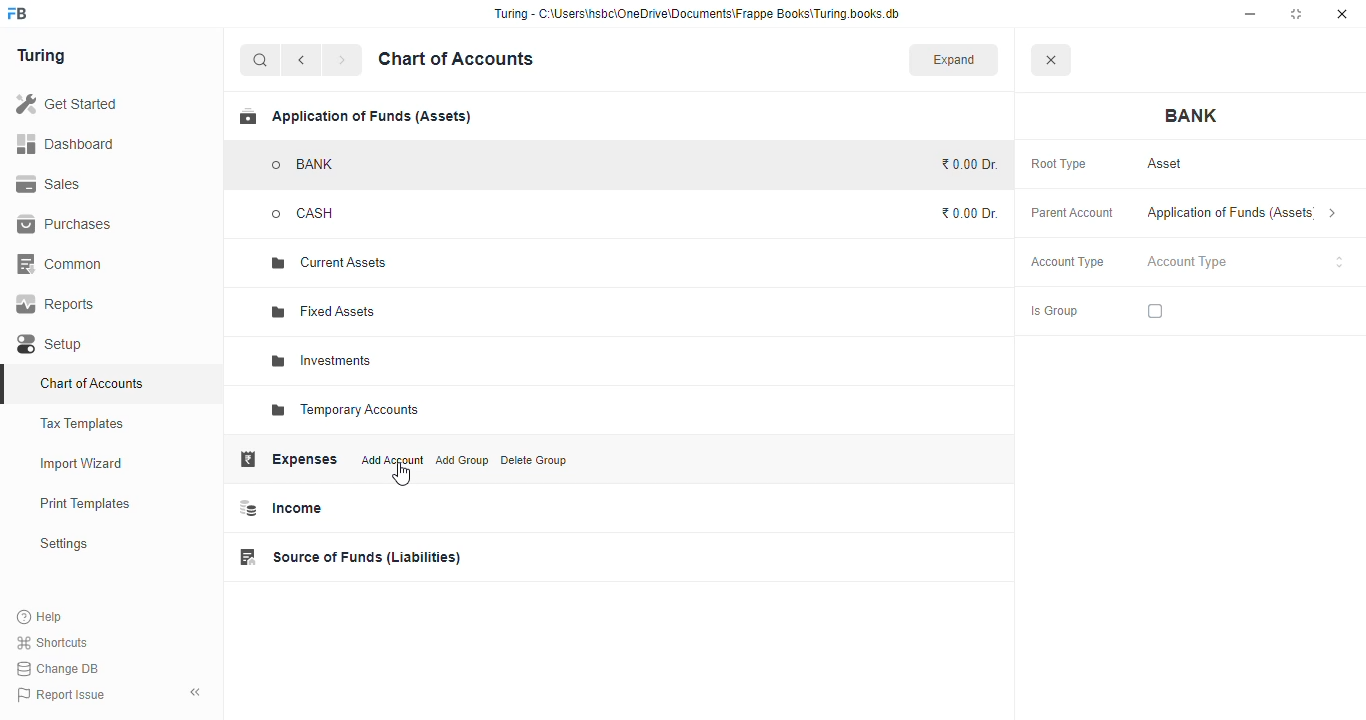 Image resolution: width=1366 pixels, height=720 pixels. What do you see at coordinates (40, 56) in the screenshot?
I see `turing` at bounding box center [40, 56].